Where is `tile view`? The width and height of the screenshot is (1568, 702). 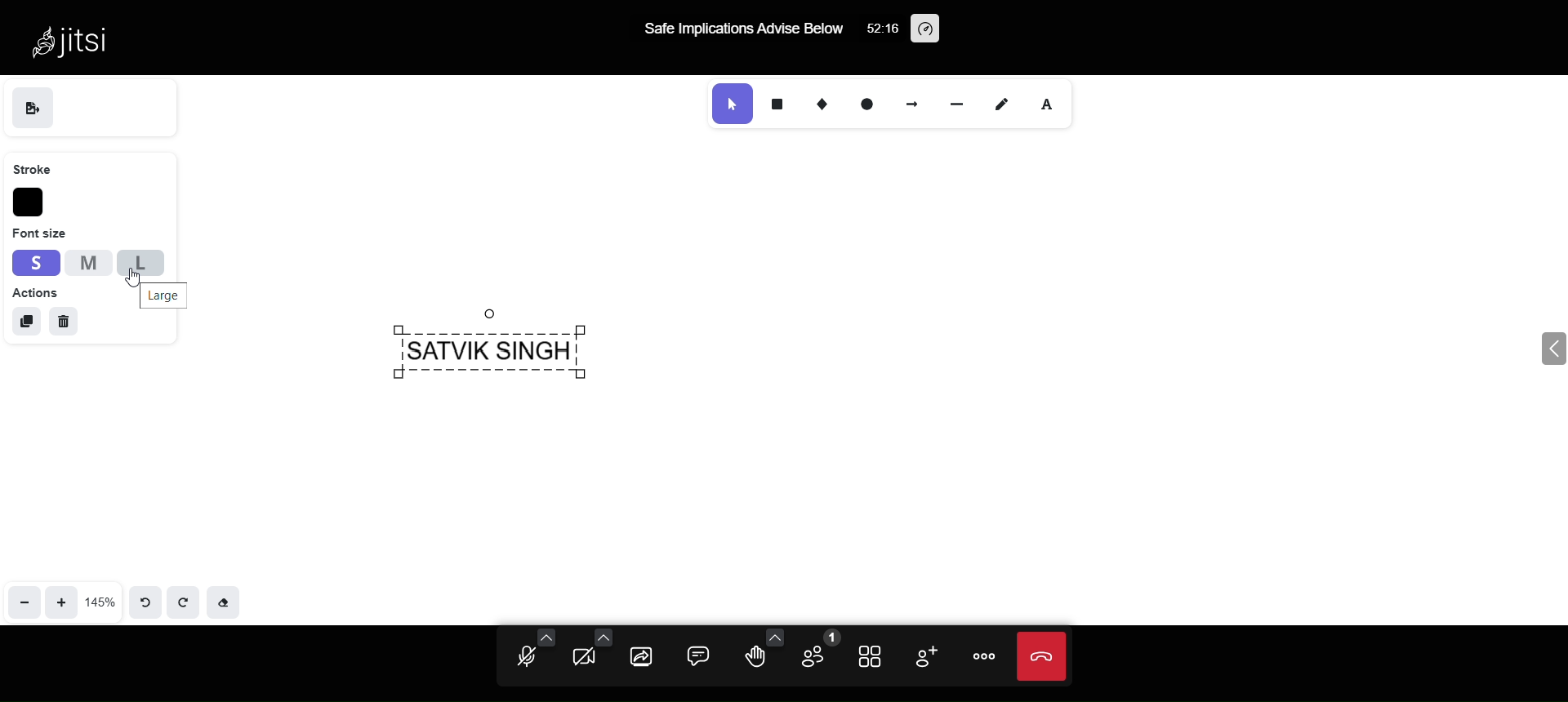 tile view is located at coordinates (874, 659).